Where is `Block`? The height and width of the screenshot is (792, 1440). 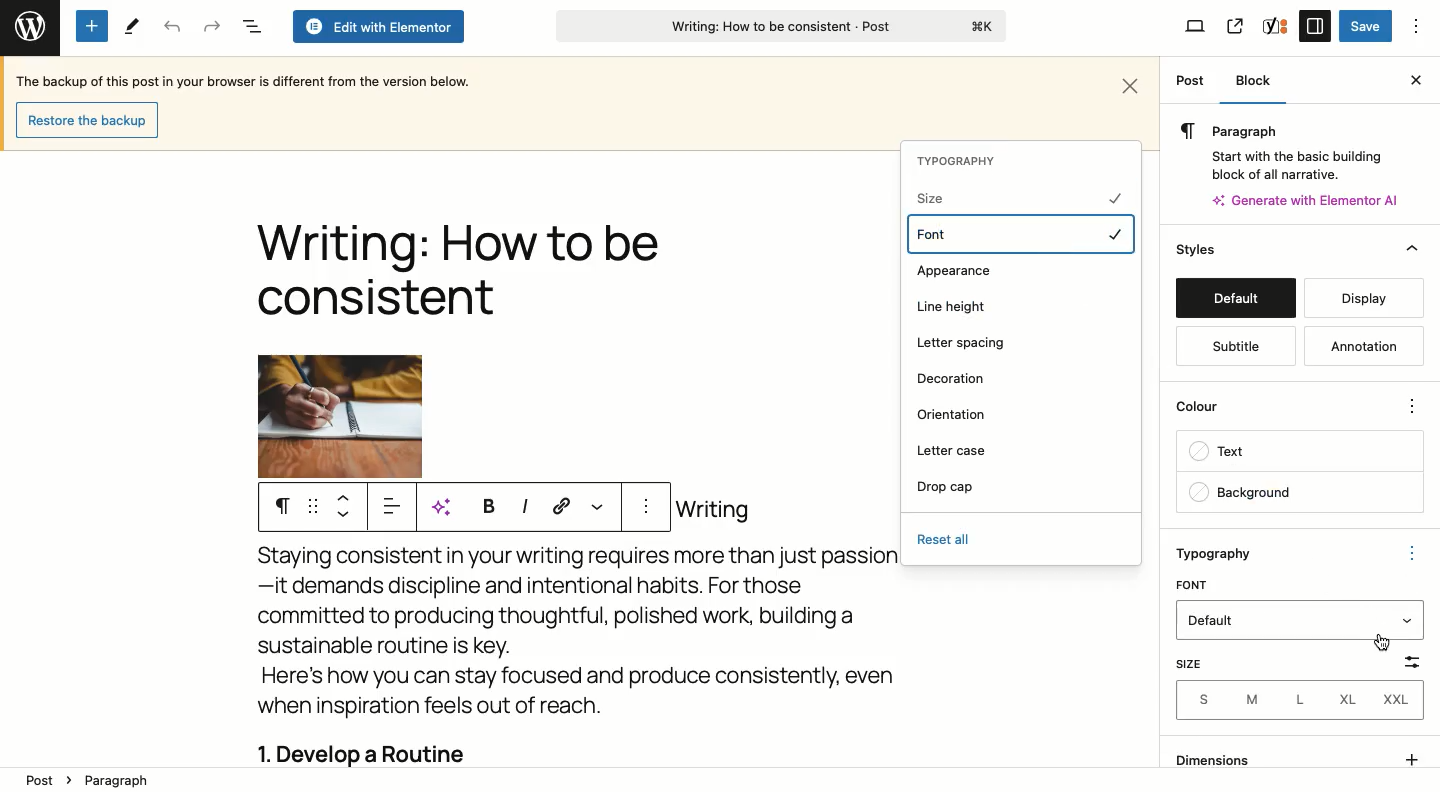 Block is located at coordinates (1261, 81).